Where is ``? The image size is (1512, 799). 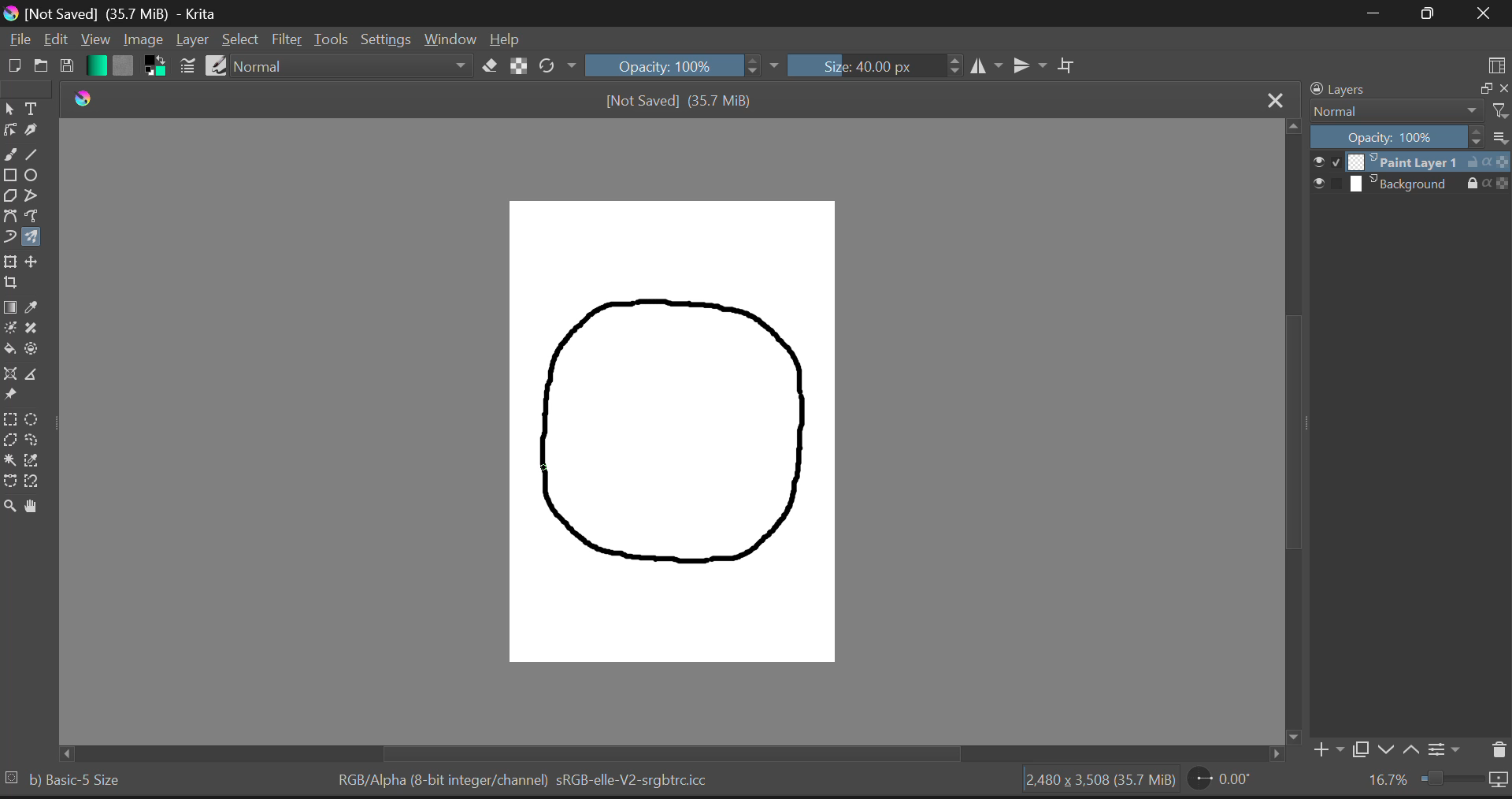
 is located at coordinates (9, 775).